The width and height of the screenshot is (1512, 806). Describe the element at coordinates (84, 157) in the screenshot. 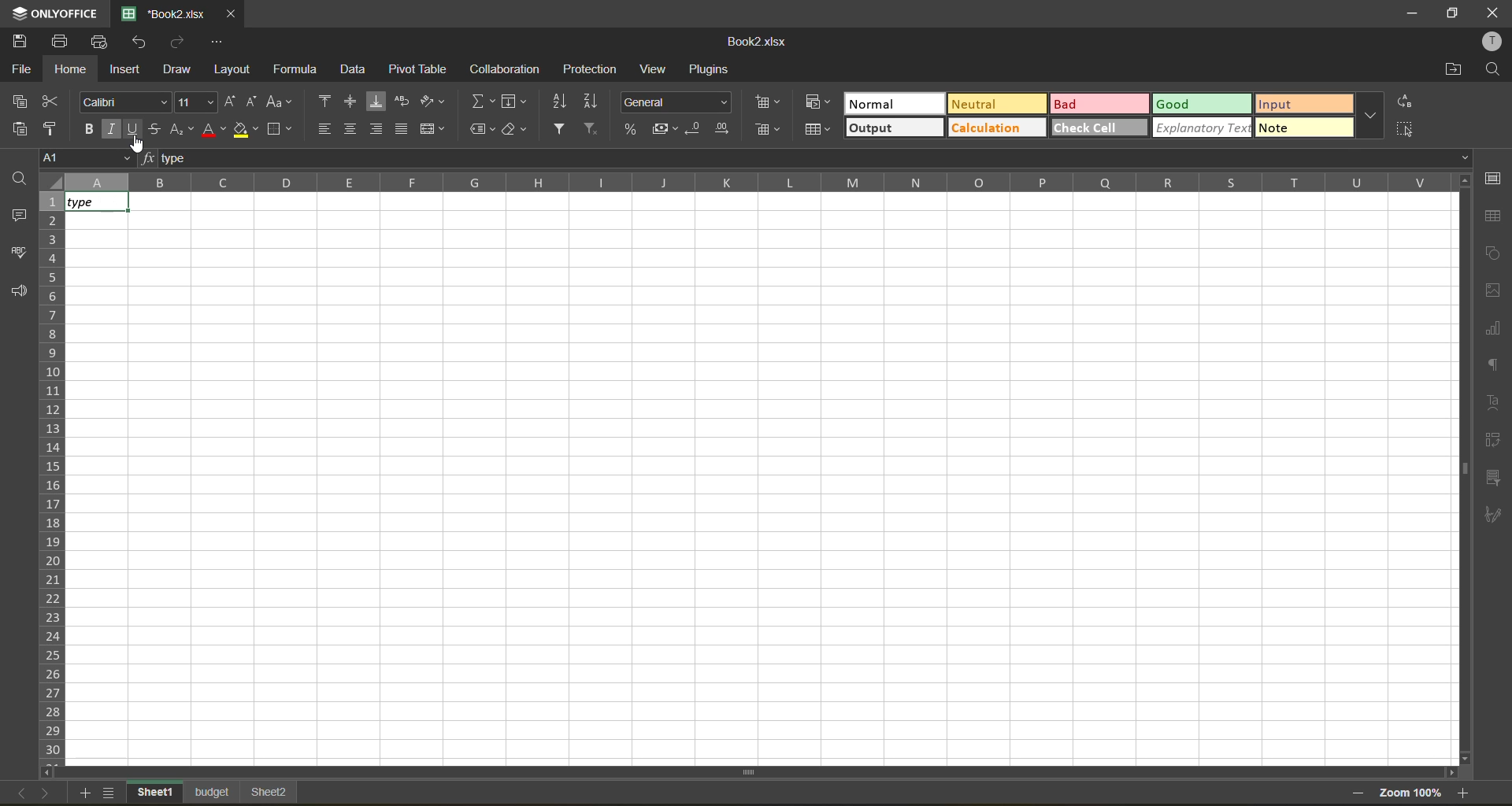

I see `cell address` at that location.